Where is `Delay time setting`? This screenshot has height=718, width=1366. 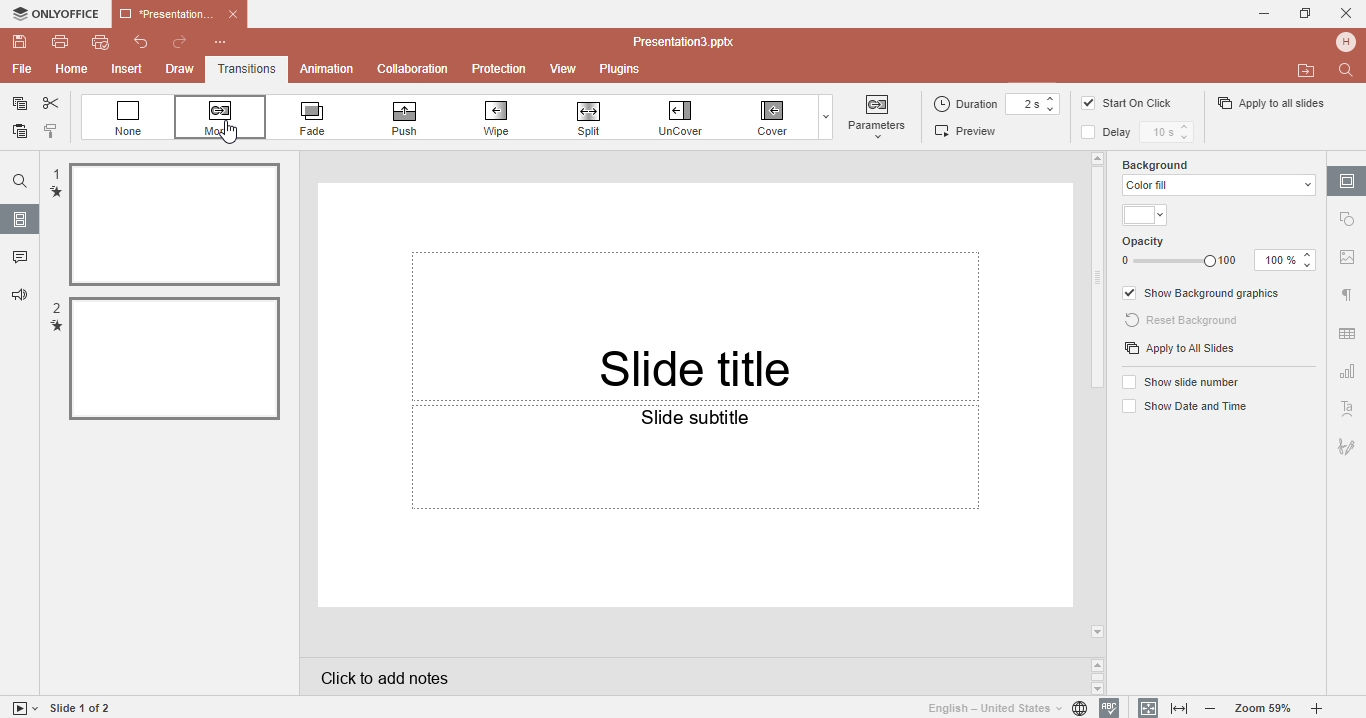 Delay time setting is located at coordinates (1171, 133).